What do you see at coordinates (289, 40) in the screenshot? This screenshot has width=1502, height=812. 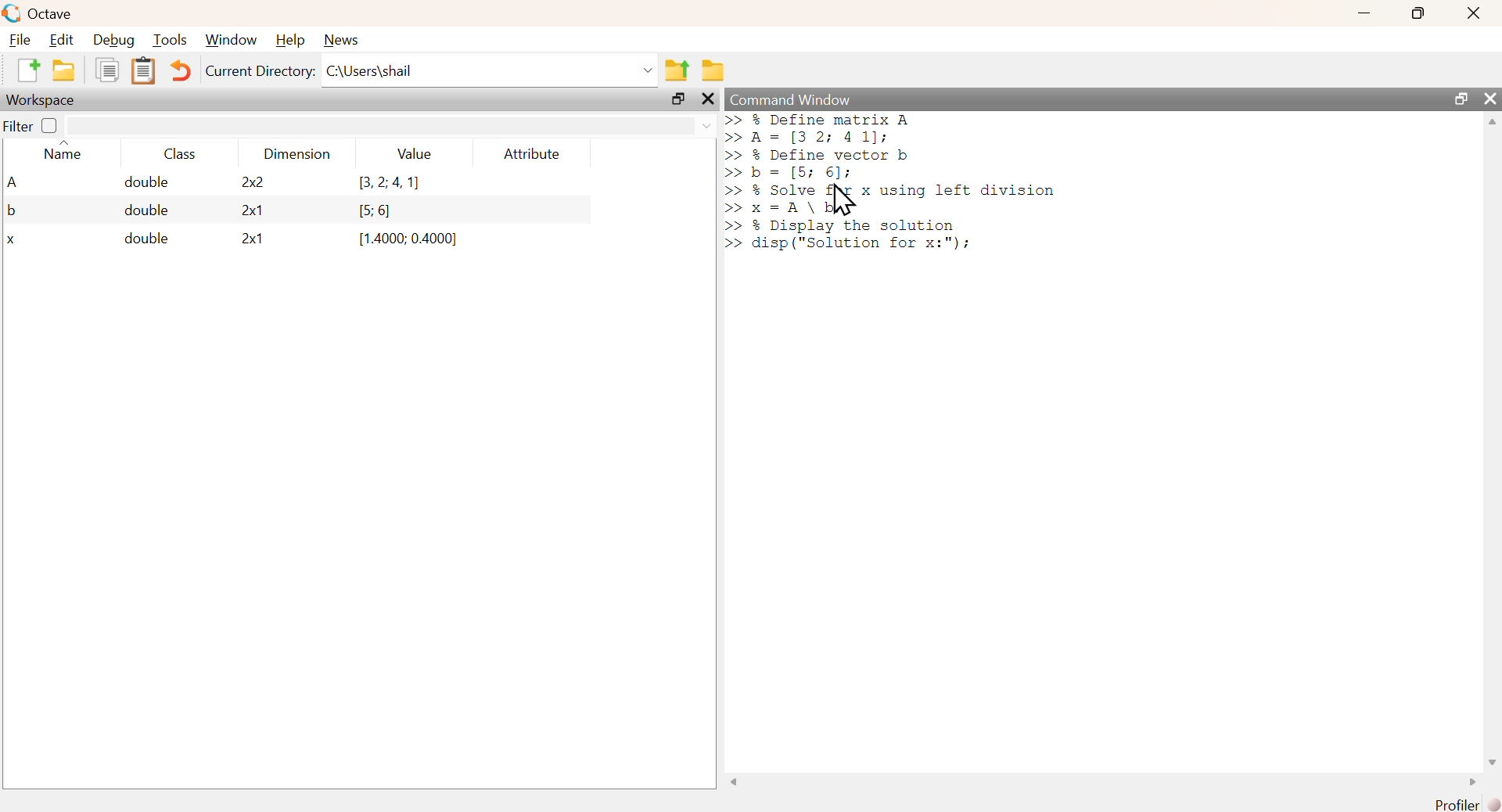 I see `help` at bounding box center [289, 40].